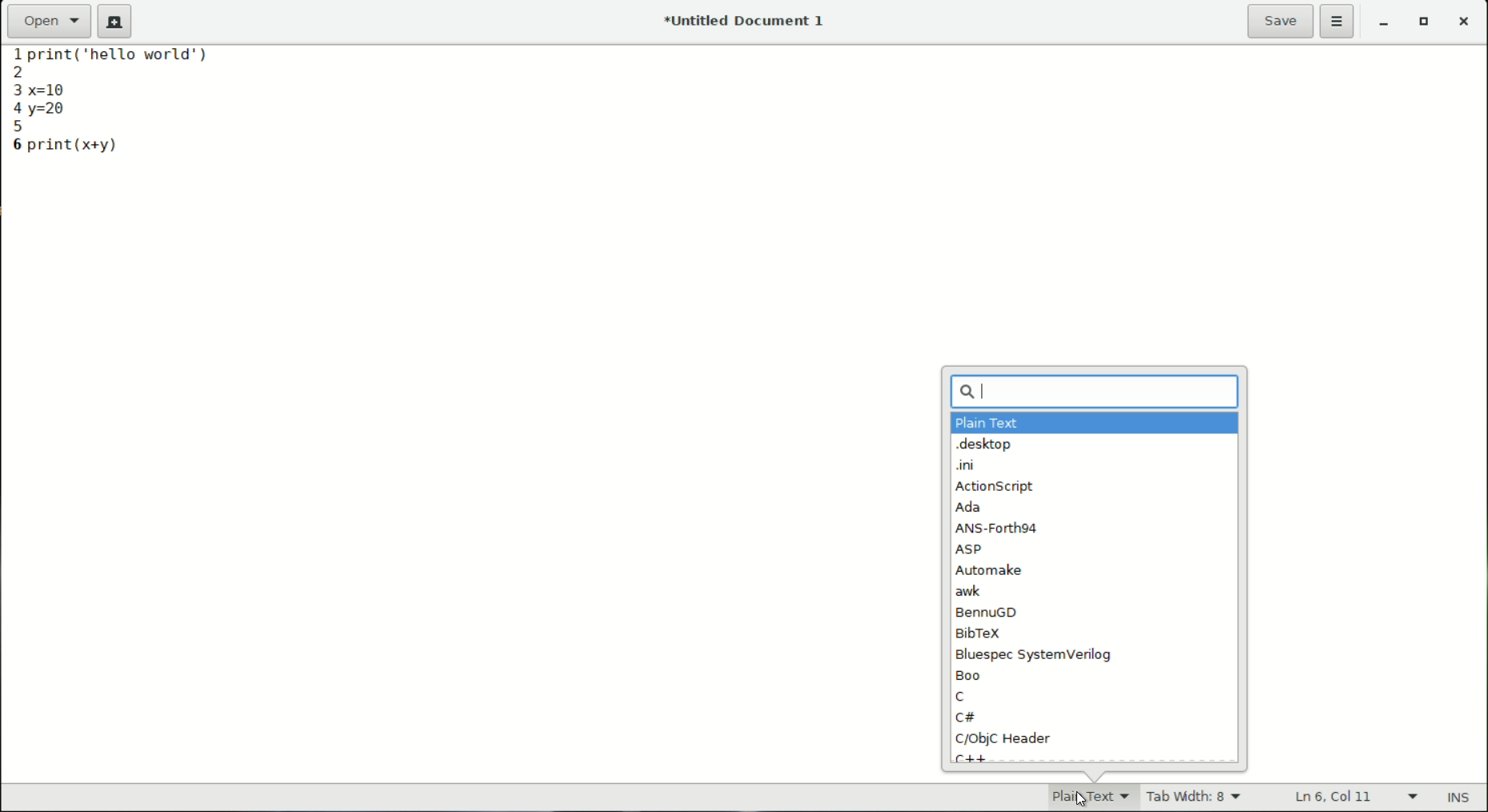 Image resolution: width=1488 pixels, height=812 pixels. Describe the element at coordinates (75, 145) in the screenshot. I see `print x + y` at that location.